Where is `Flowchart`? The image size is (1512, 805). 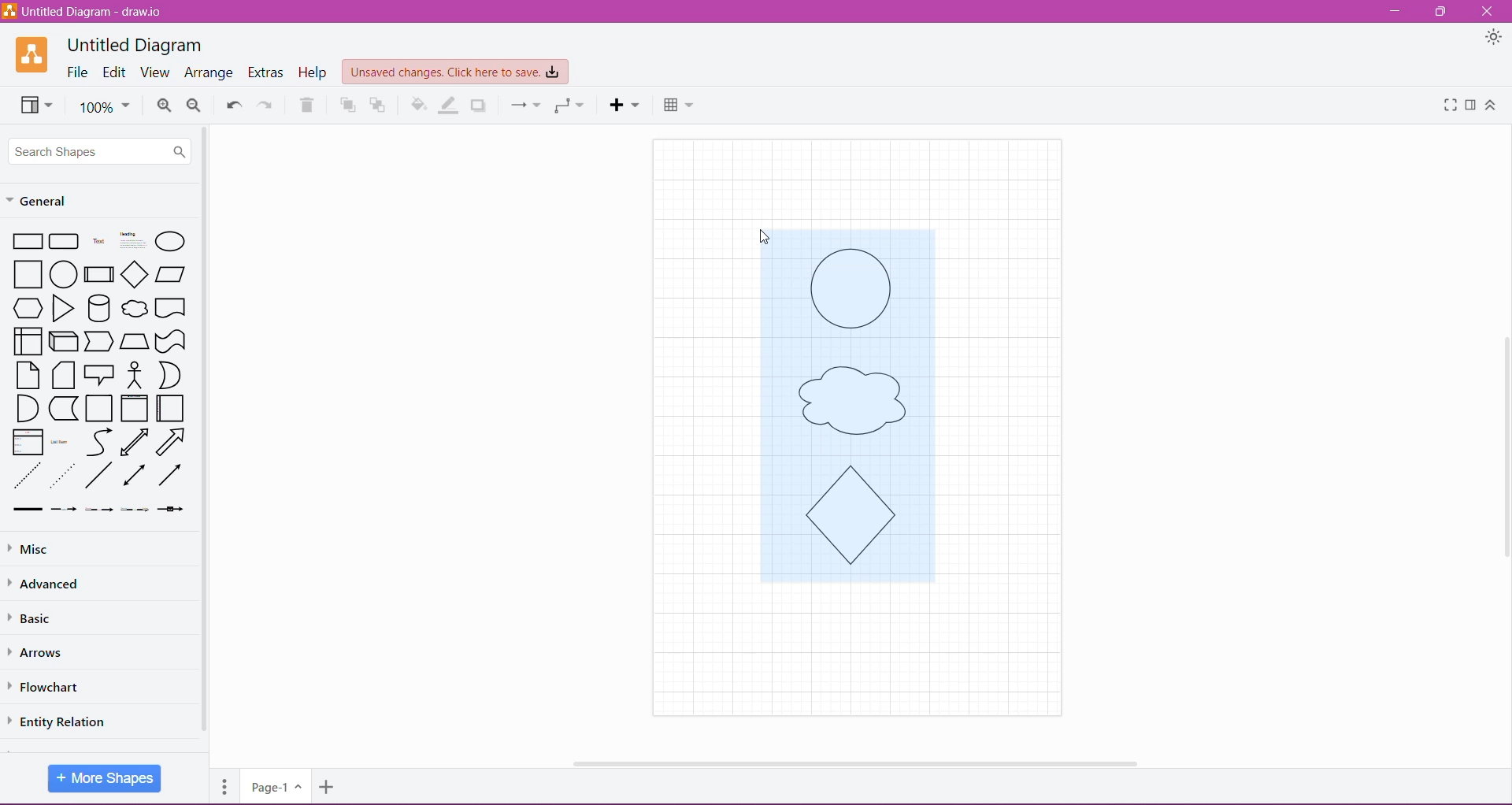
Flowchart is located at coordinates (54, 687).